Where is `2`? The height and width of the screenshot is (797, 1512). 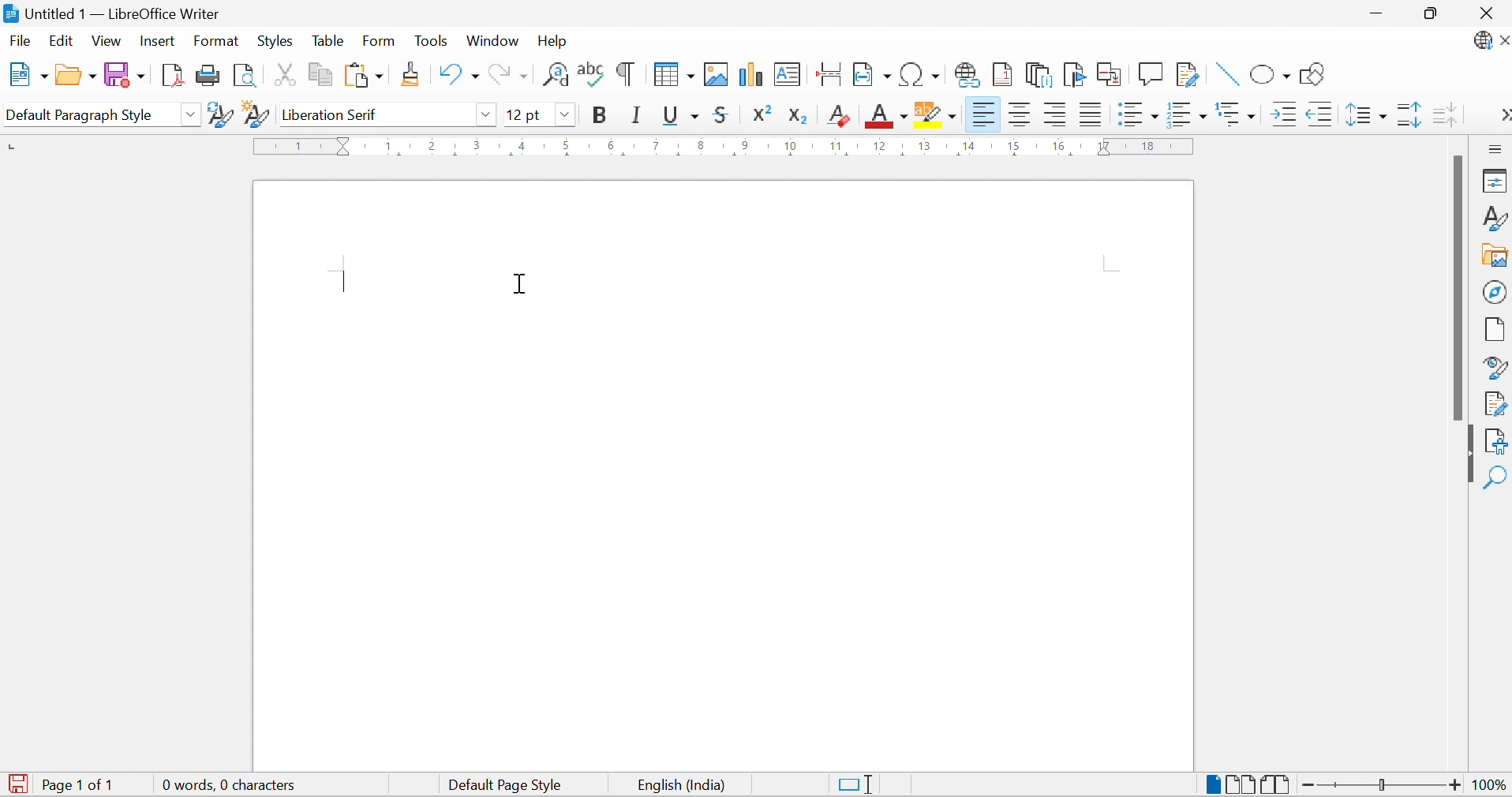
2 is located at coordinates (433, 144).